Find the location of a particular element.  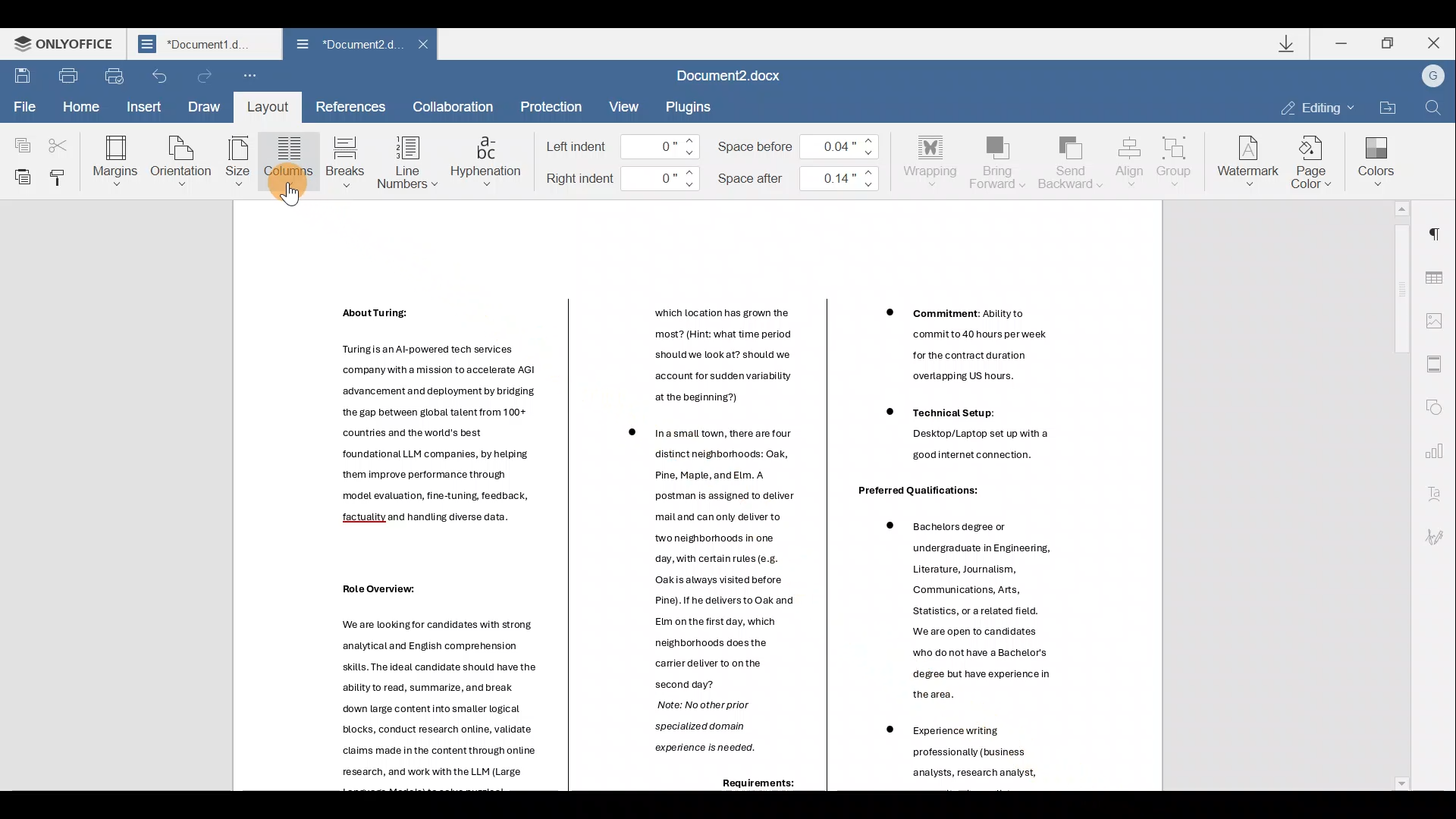

Plugin is located at coordinates (697, 106).